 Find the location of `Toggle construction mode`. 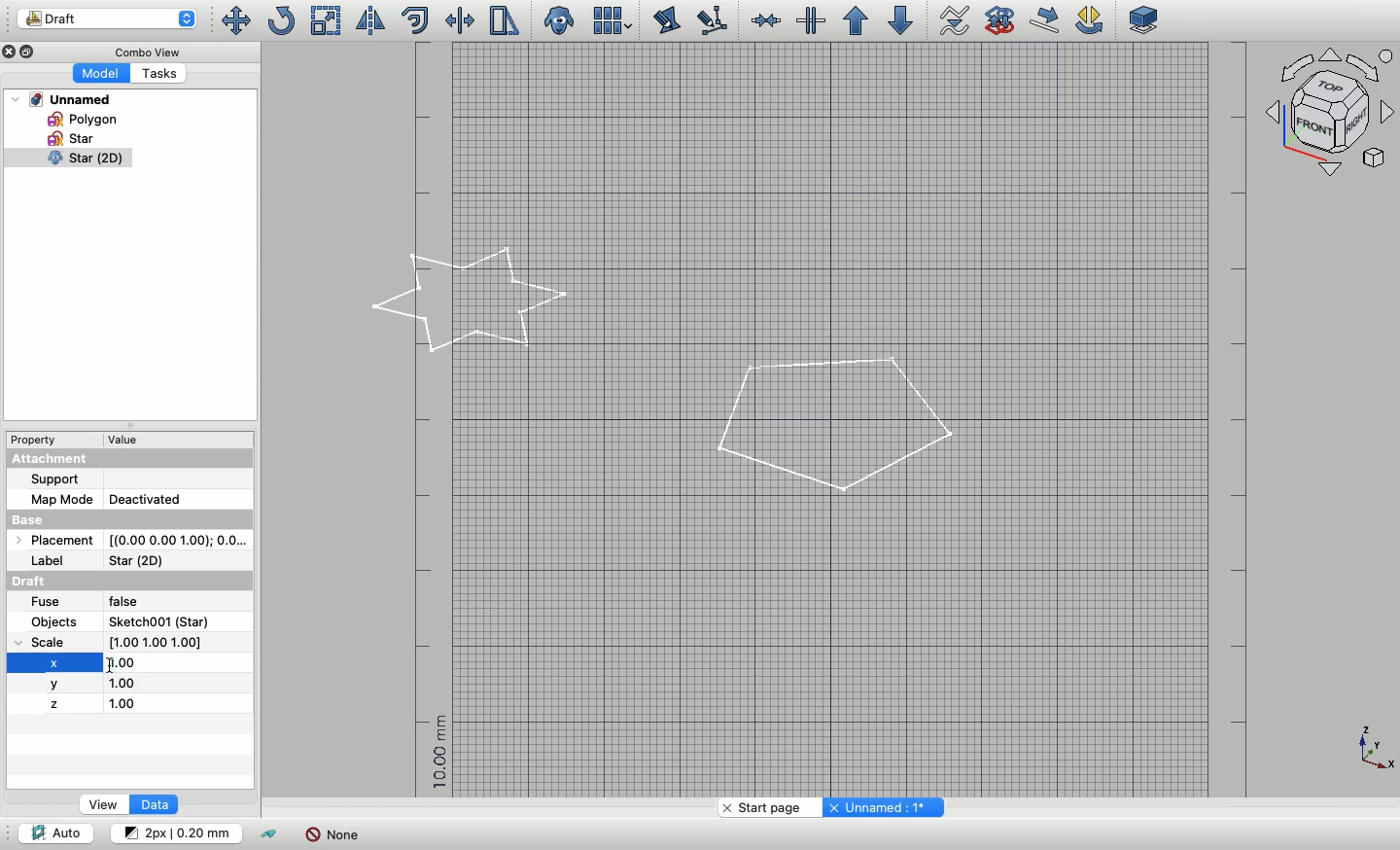

Toggle construction mode is located at coordinates (270, 835).